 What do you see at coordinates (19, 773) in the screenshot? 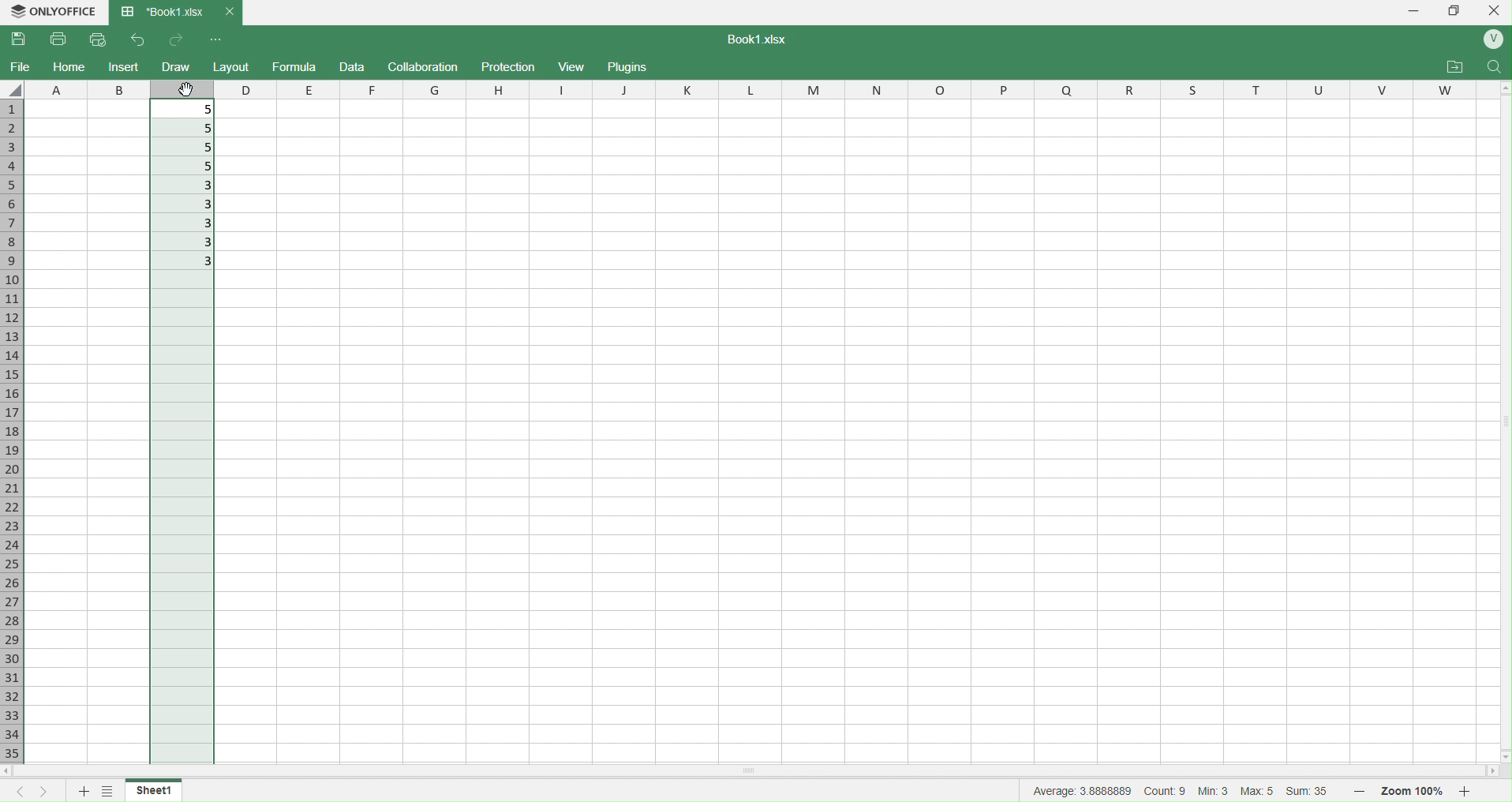
I see `scroll left` at bounding box center [19, 773].